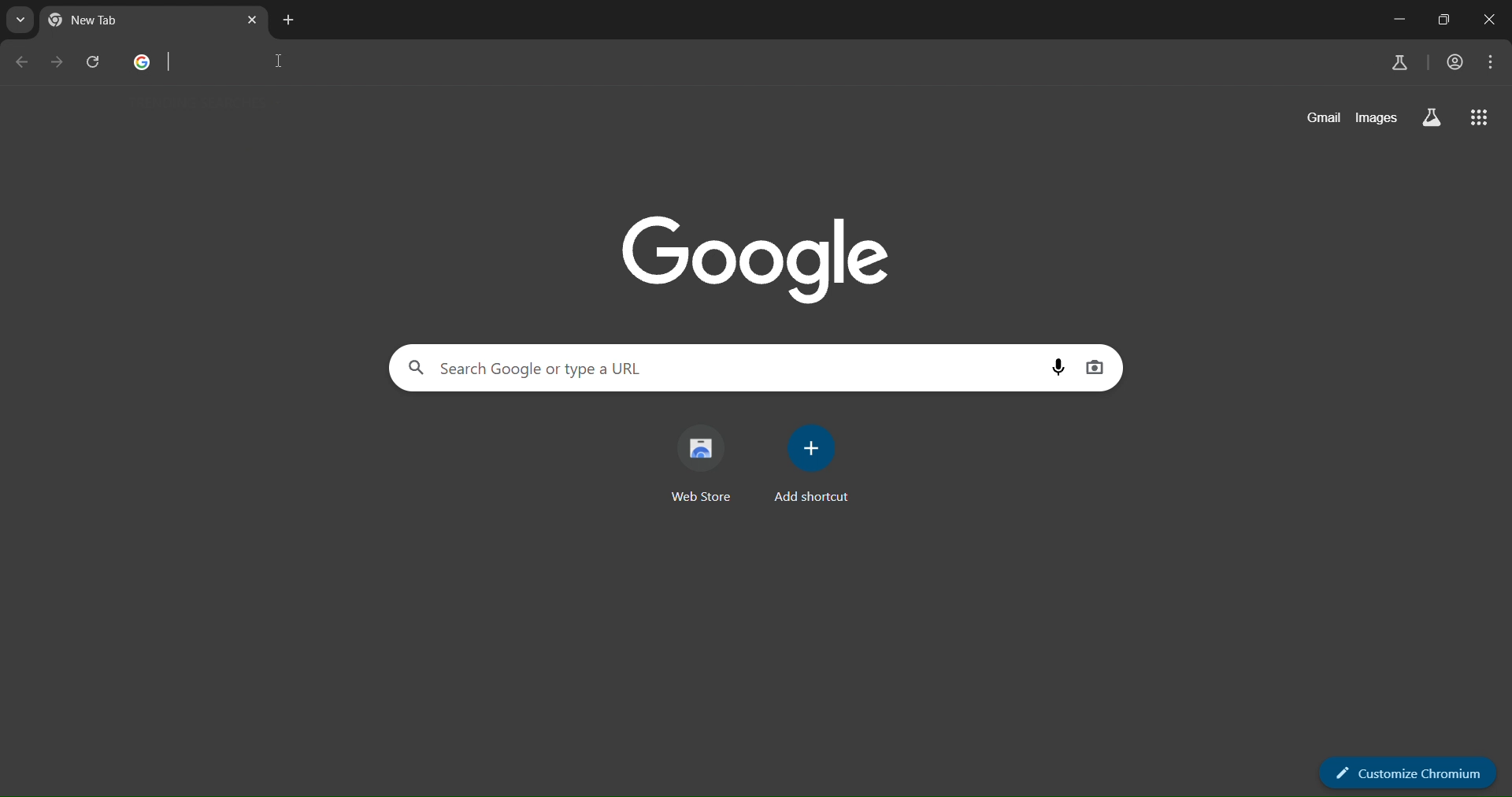 This screenshot has width=1512, height=797. Describe the element at coordinates (1430, 118) in the screenshot. I see `search labs` at that location.